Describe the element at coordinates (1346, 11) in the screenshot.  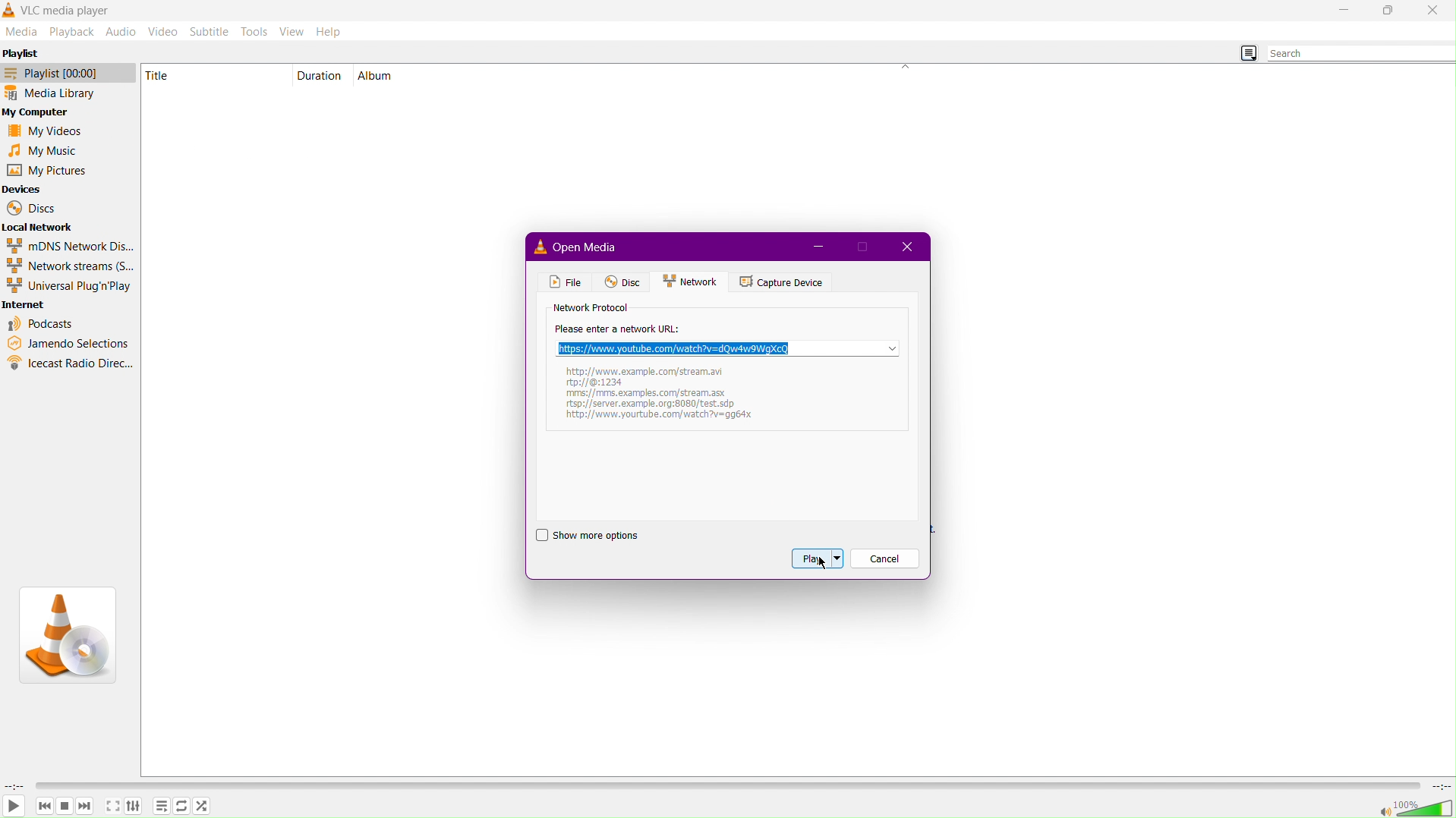
I see `Minimize` at that location.